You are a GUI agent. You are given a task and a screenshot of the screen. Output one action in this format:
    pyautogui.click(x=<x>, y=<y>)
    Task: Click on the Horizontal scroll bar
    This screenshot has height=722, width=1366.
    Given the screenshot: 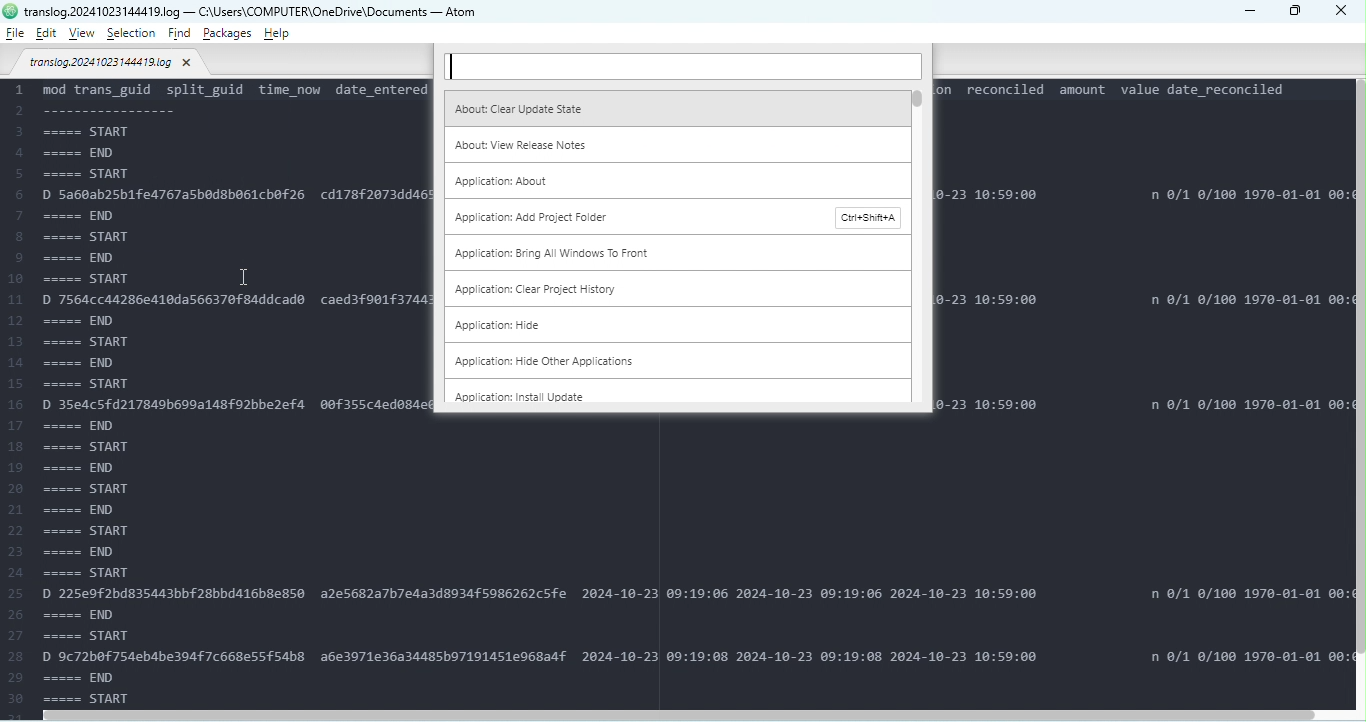 What is the action you would take?
    pyautogui.click(x=688, y=714)
    